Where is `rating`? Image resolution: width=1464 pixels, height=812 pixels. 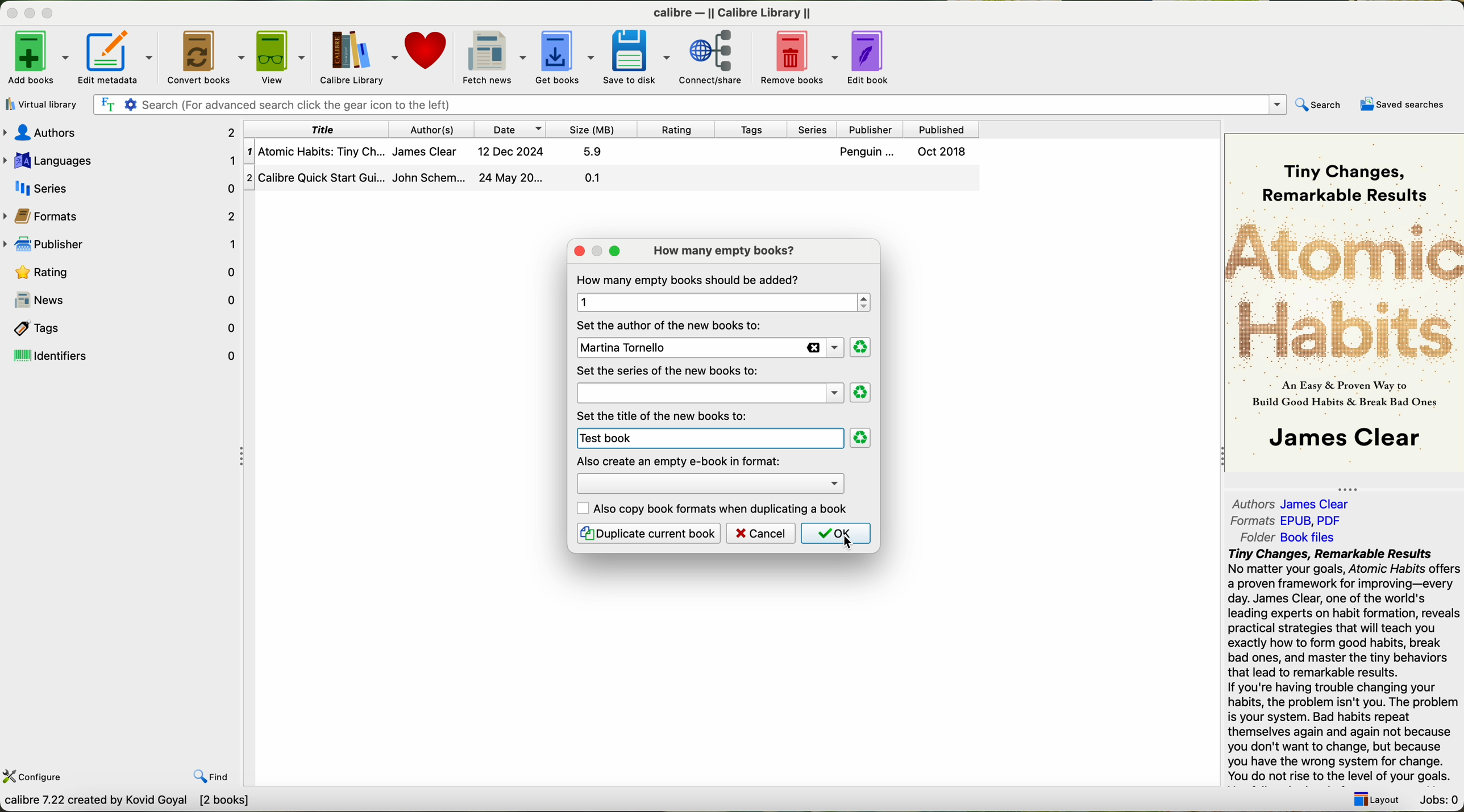
rating is located at coordinates (680, 130).